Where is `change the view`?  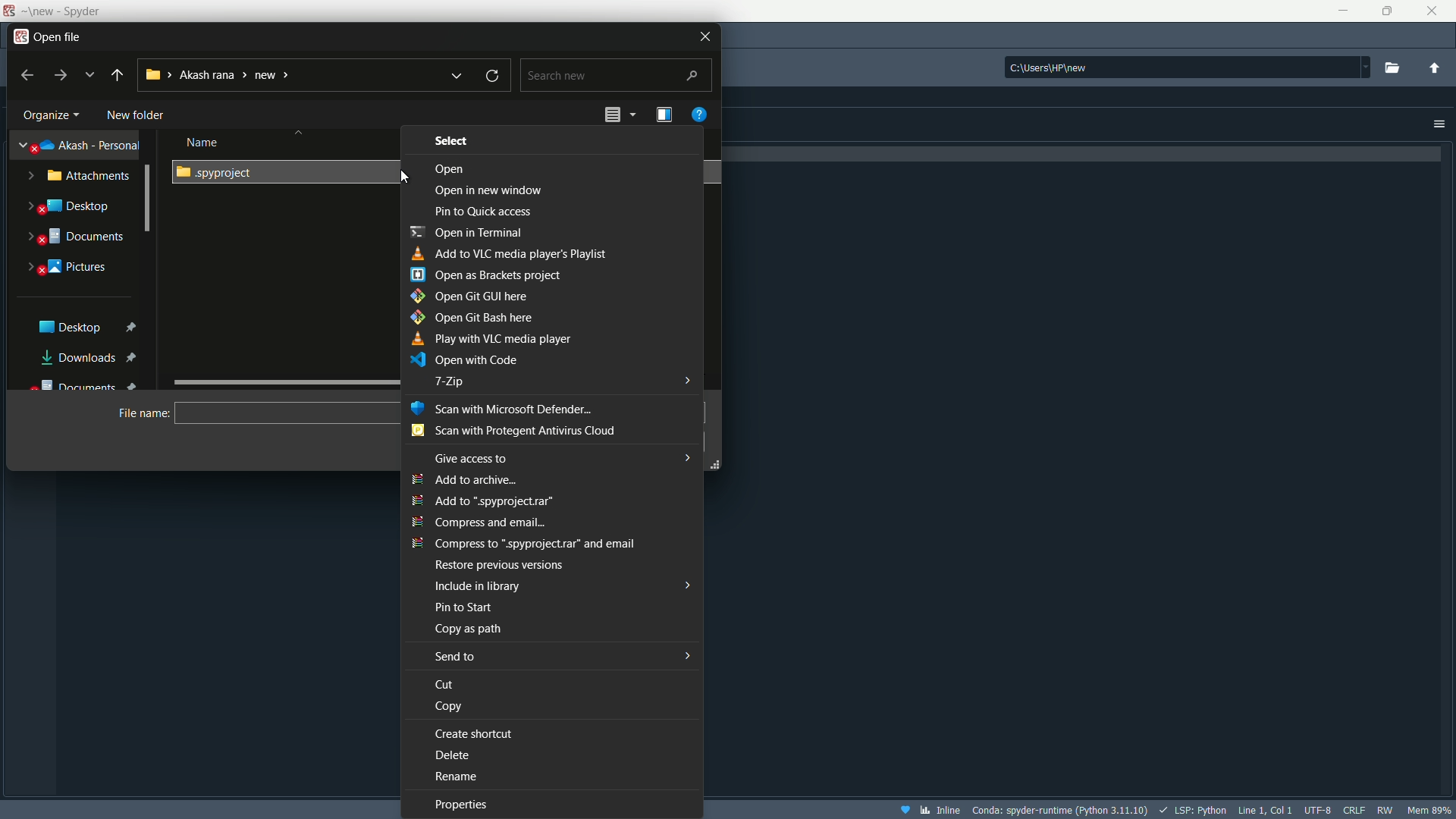
change the view is located at coordinates (619, 115).